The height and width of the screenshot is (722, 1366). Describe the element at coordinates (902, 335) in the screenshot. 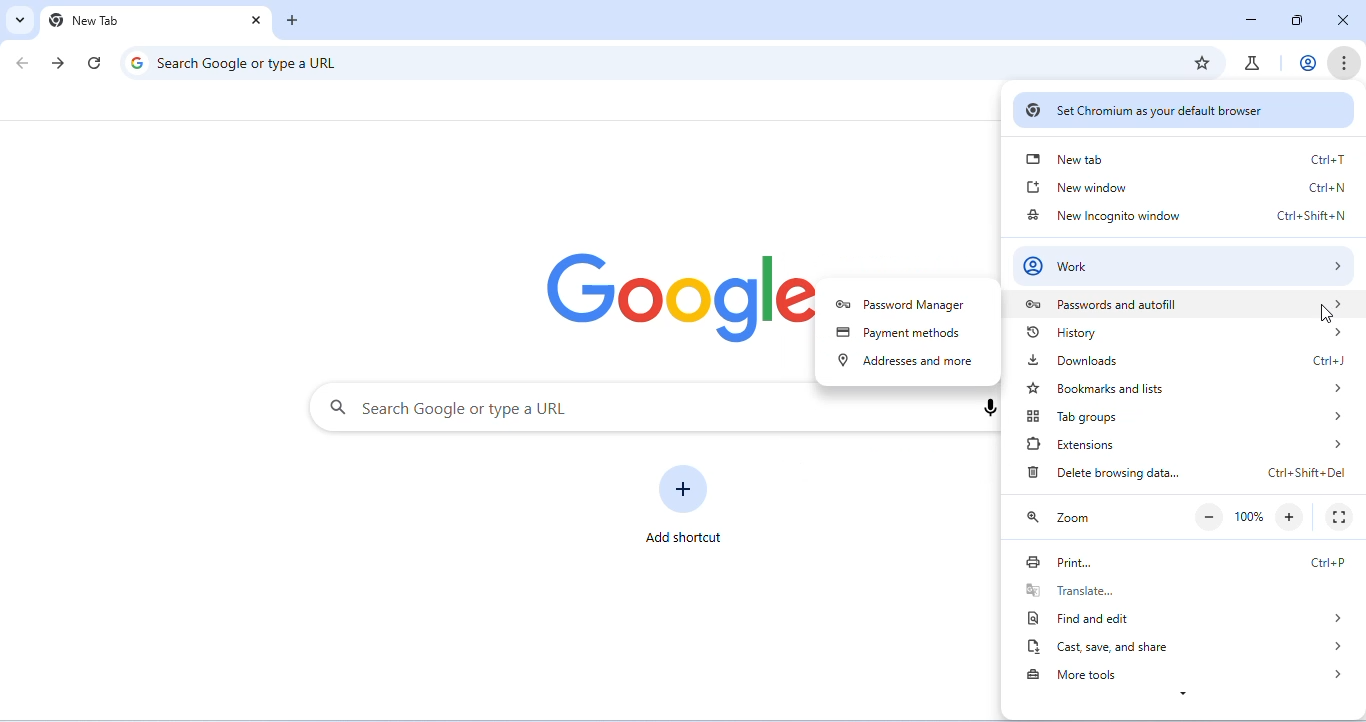

I see `payment methods` at that location.